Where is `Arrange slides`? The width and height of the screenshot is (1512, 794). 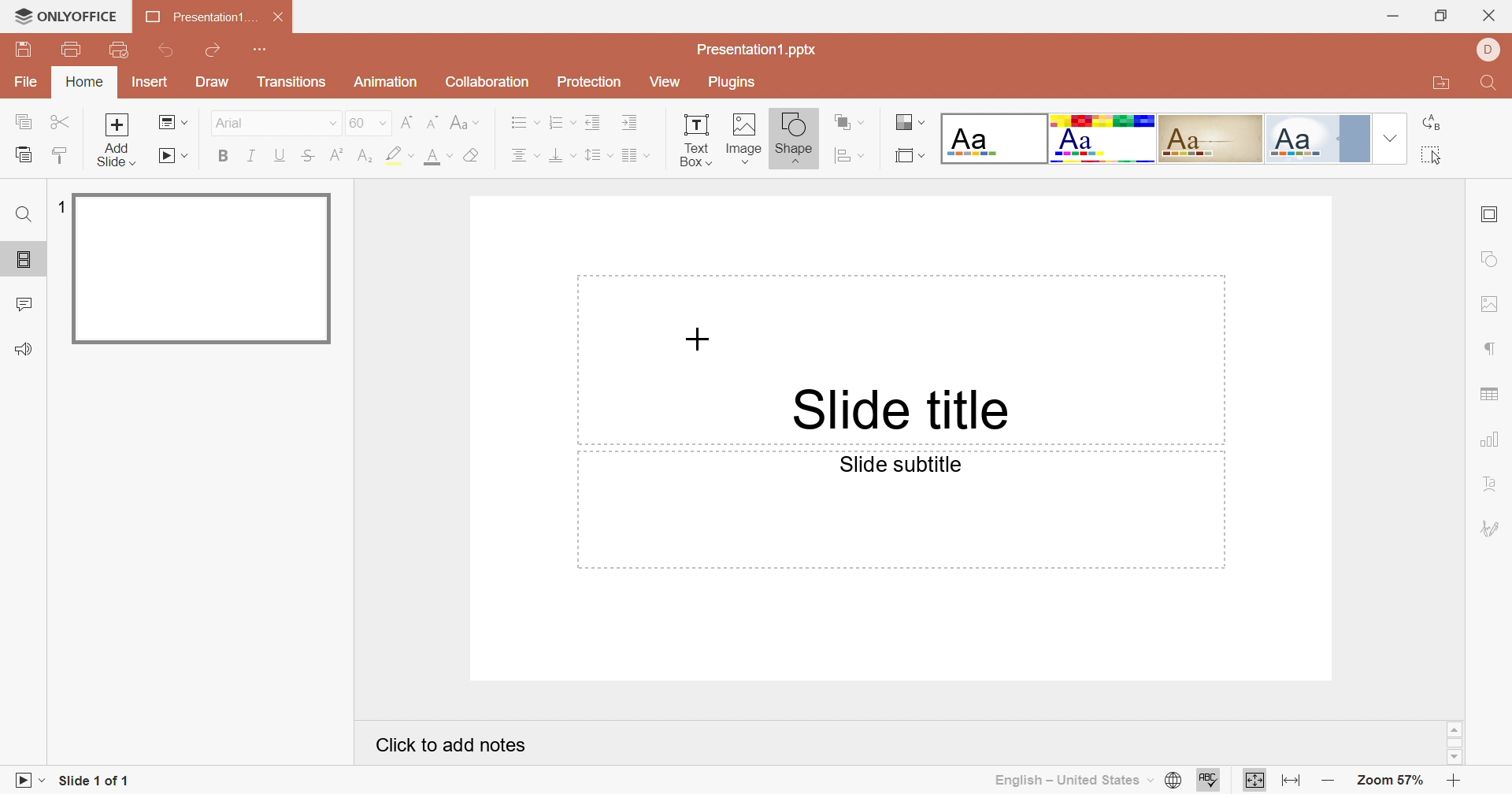
Arrange slides is located at coordinates (850, 123).